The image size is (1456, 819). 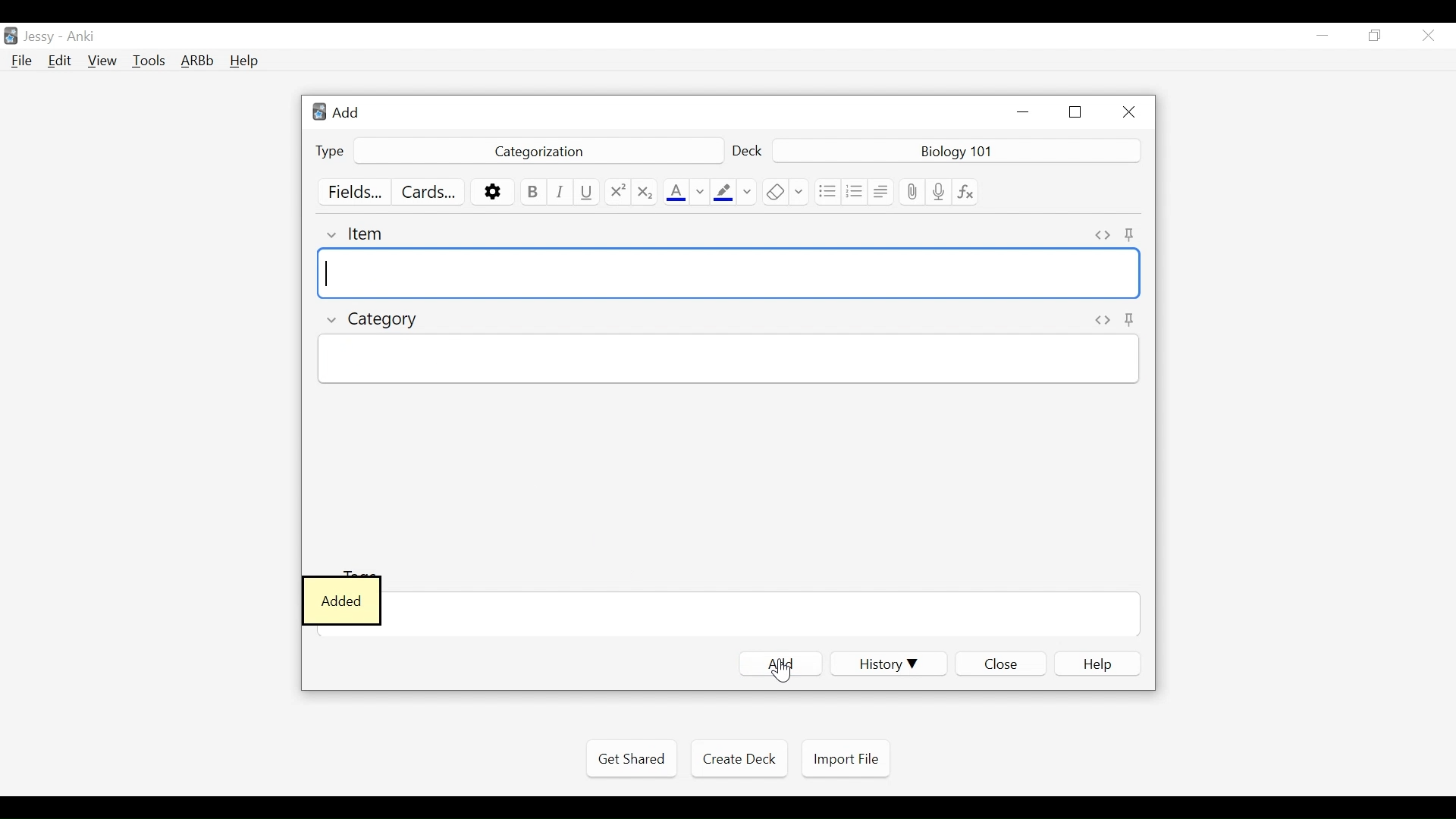 I want to click on Bold, so click(x=534, y=192).